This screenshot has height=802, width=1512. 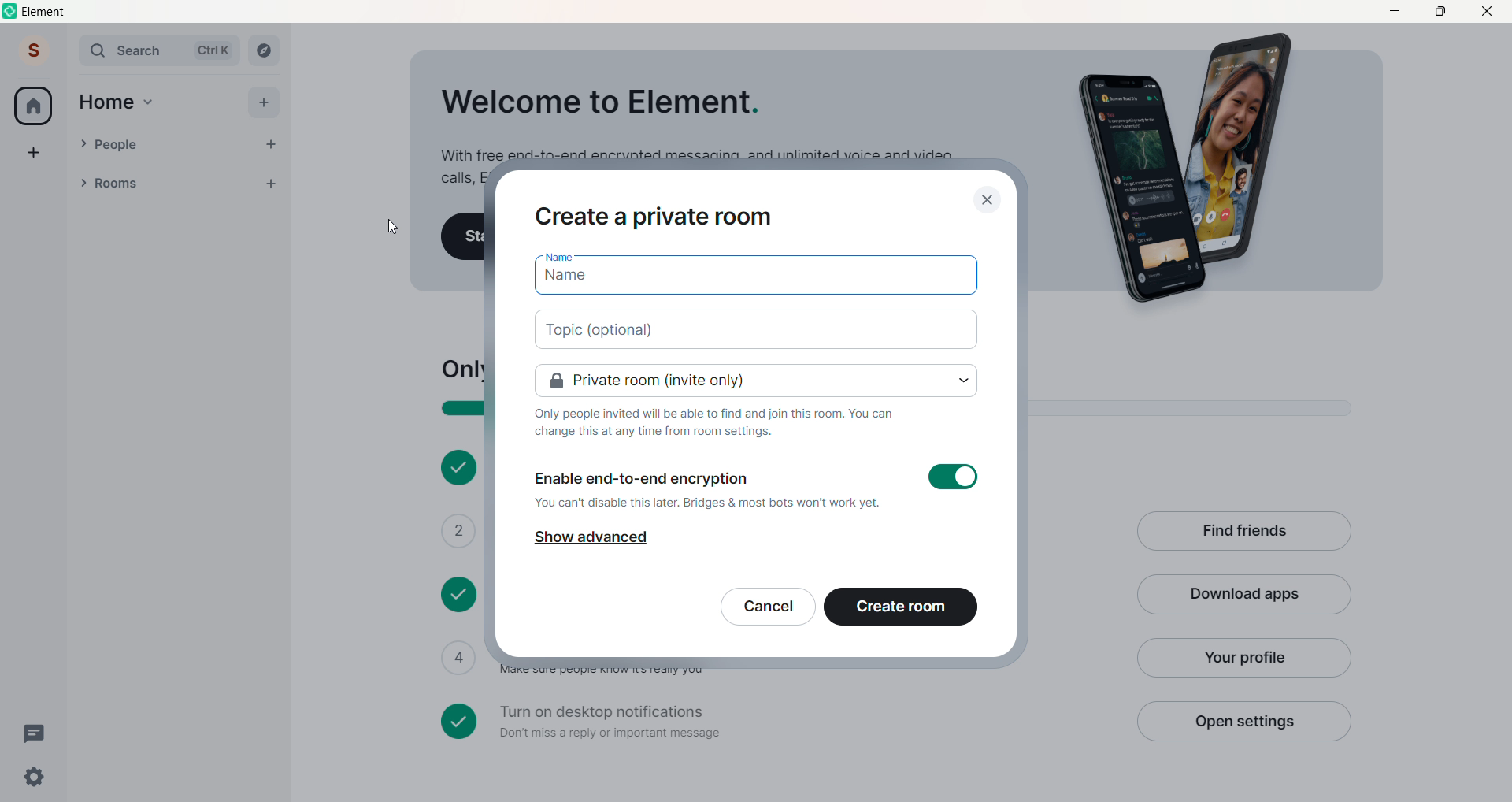 I want to click on add name, so click(x=755, y=279).